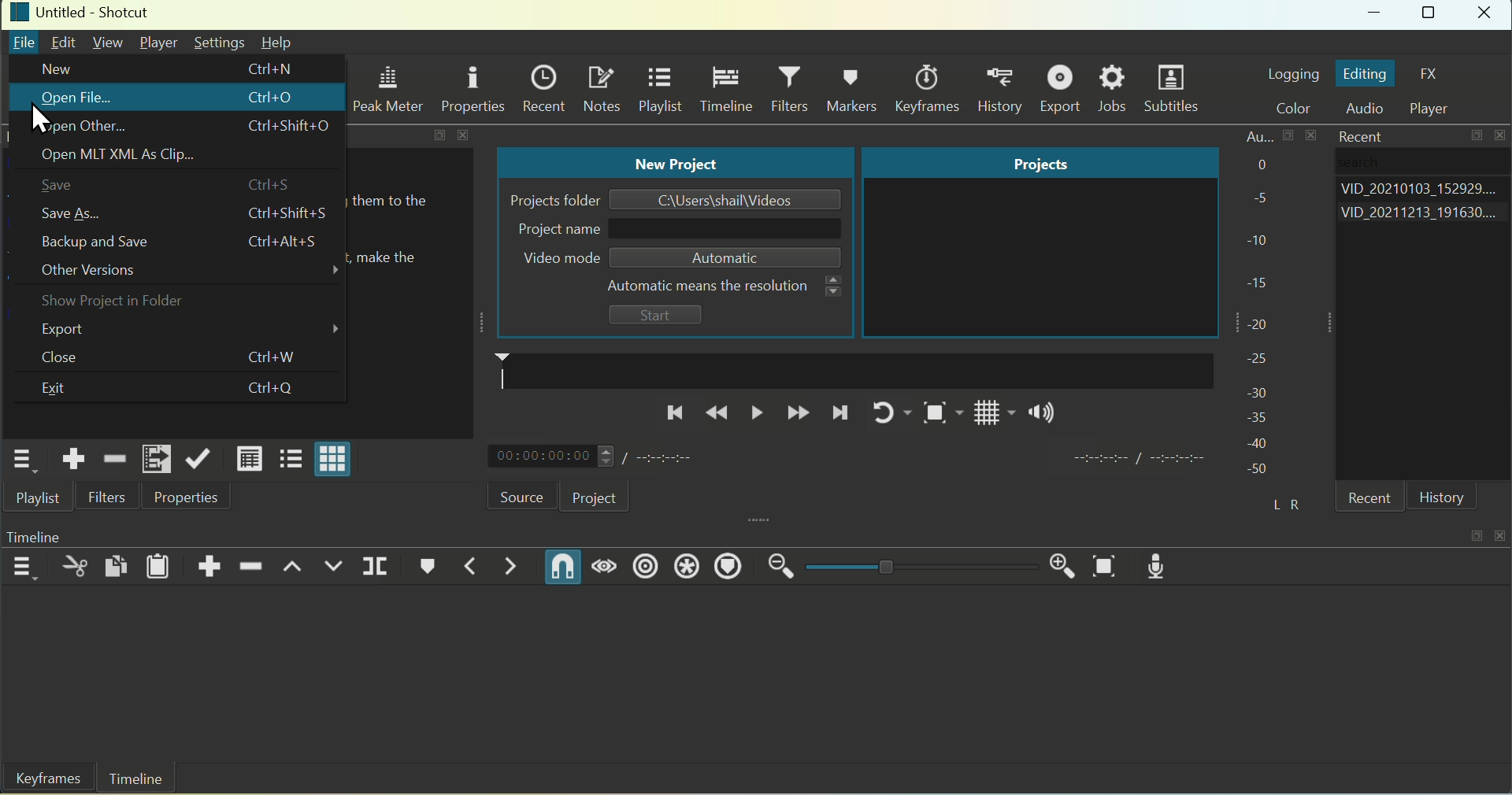 The image size is (1512, 795). I want to click on View as tiles, so click(289, 460).